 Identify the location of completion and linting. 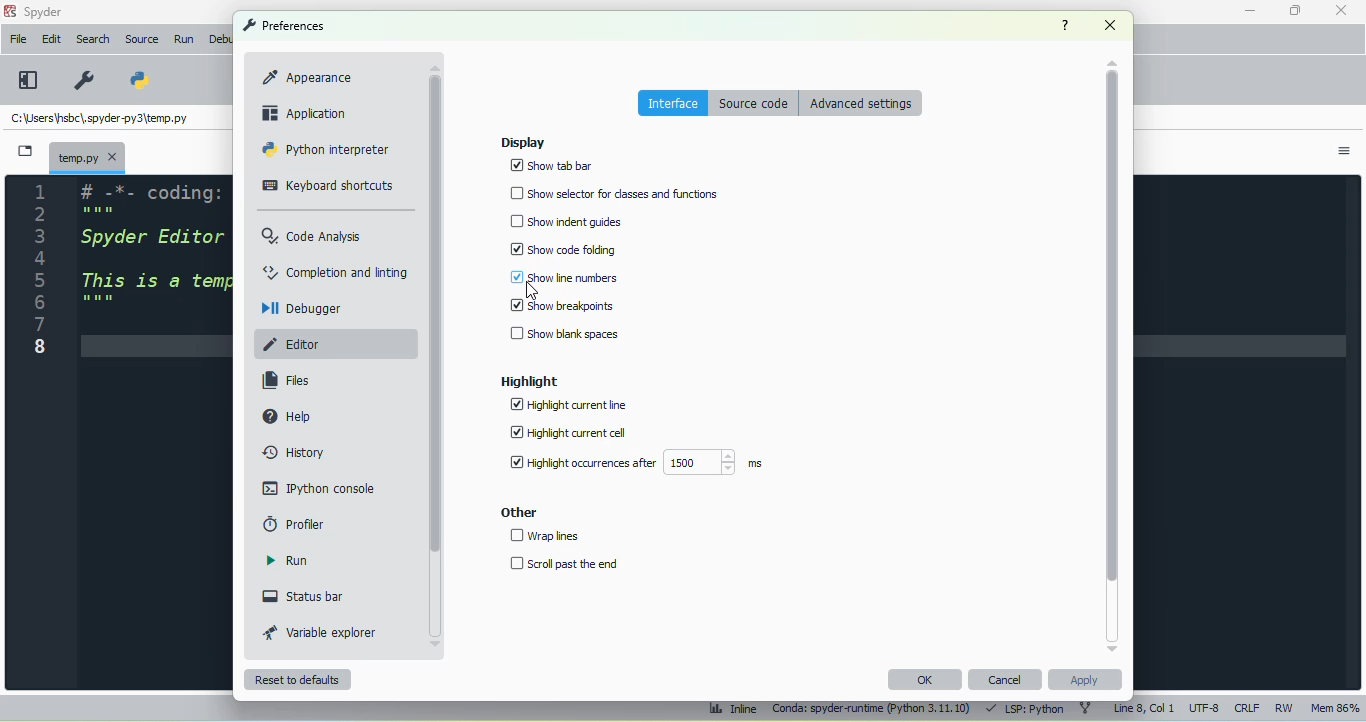
(336, 271).